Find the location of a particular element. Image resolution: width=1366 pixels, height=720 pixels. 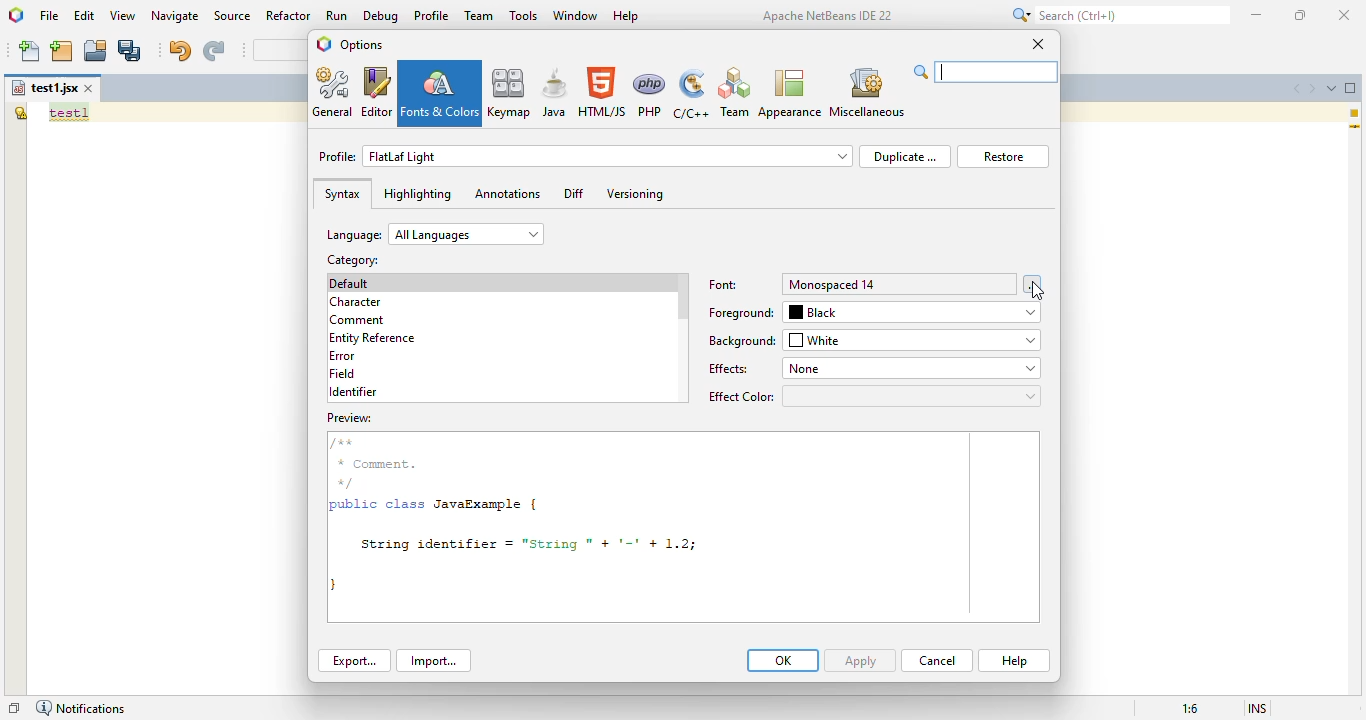

magnification ratio is located at coordinates (1190, 708).